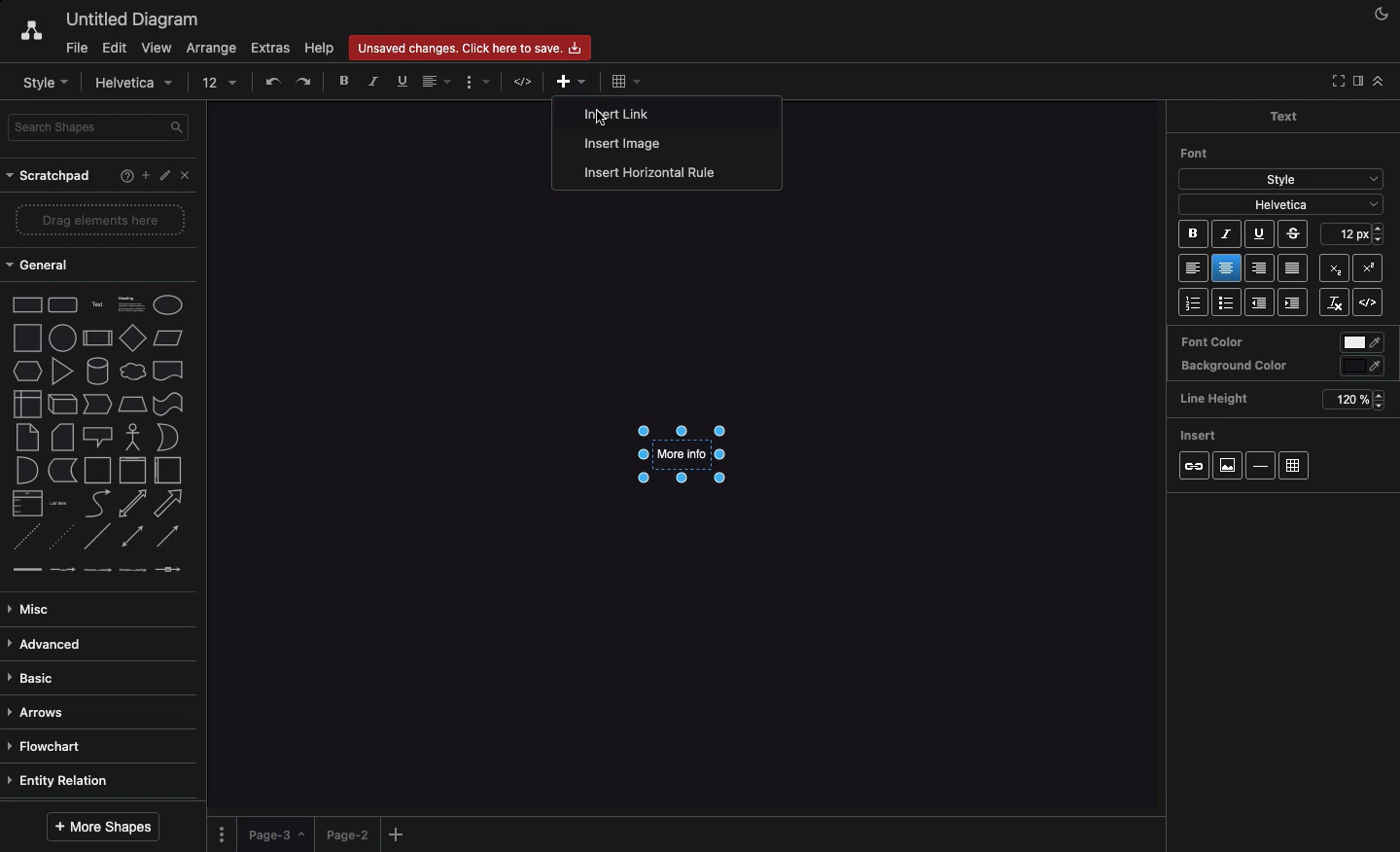  I want to click on container, so click(97, 471).